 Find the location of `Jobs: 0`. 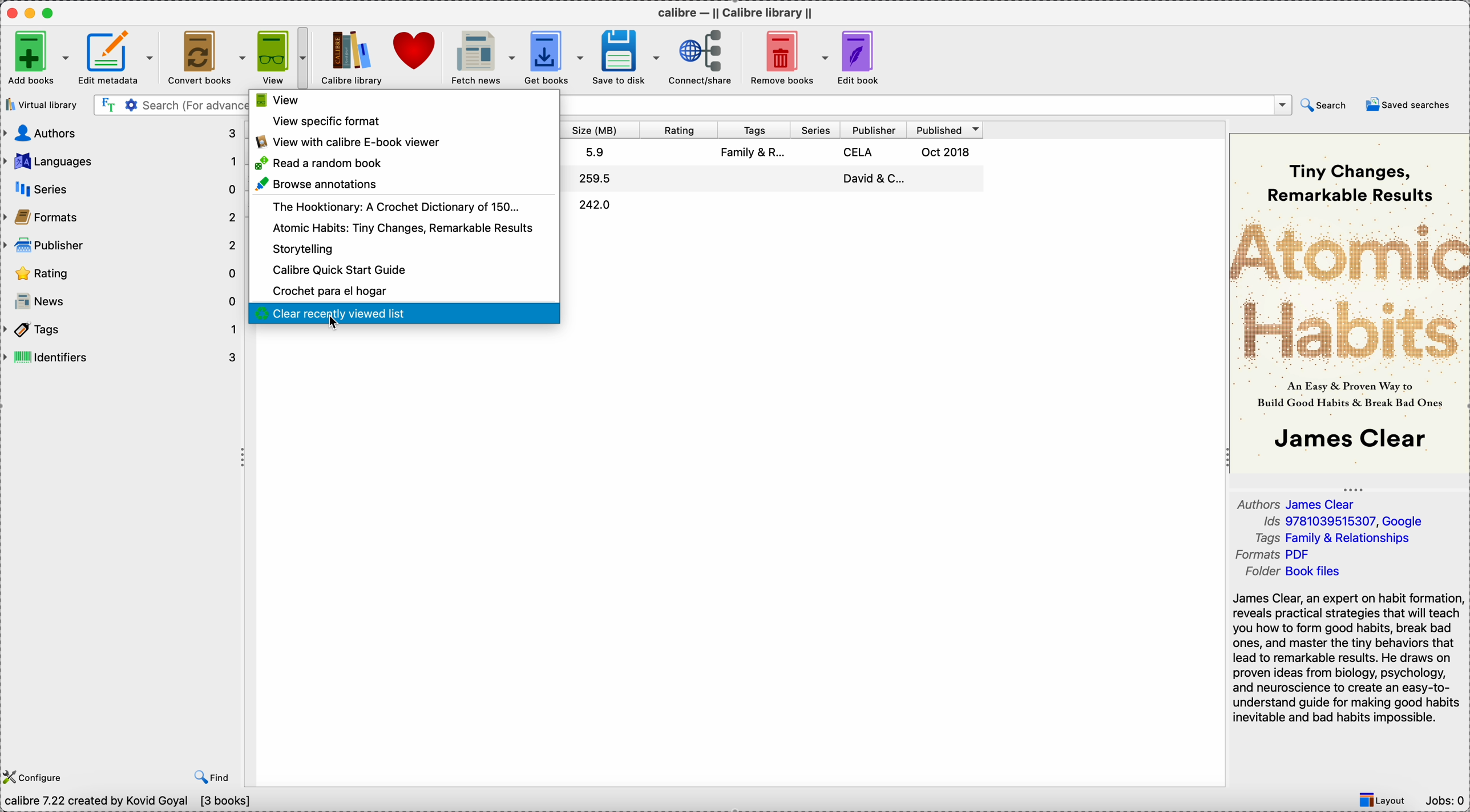

Jobs: 0 is located at coordinates (1444, 802).